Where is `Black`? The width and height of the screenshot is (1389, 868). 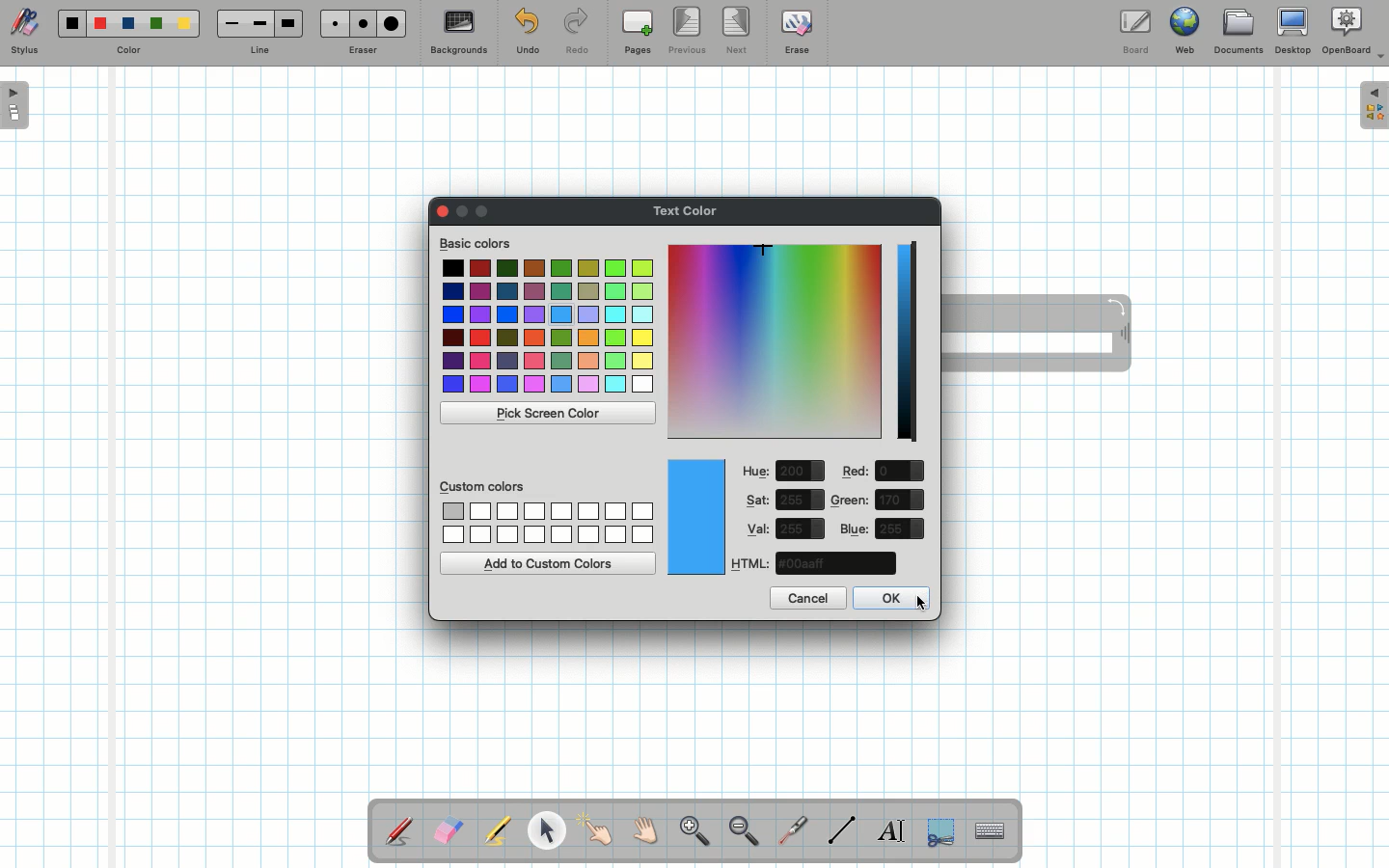
Black is located at coordinates (70, 23).